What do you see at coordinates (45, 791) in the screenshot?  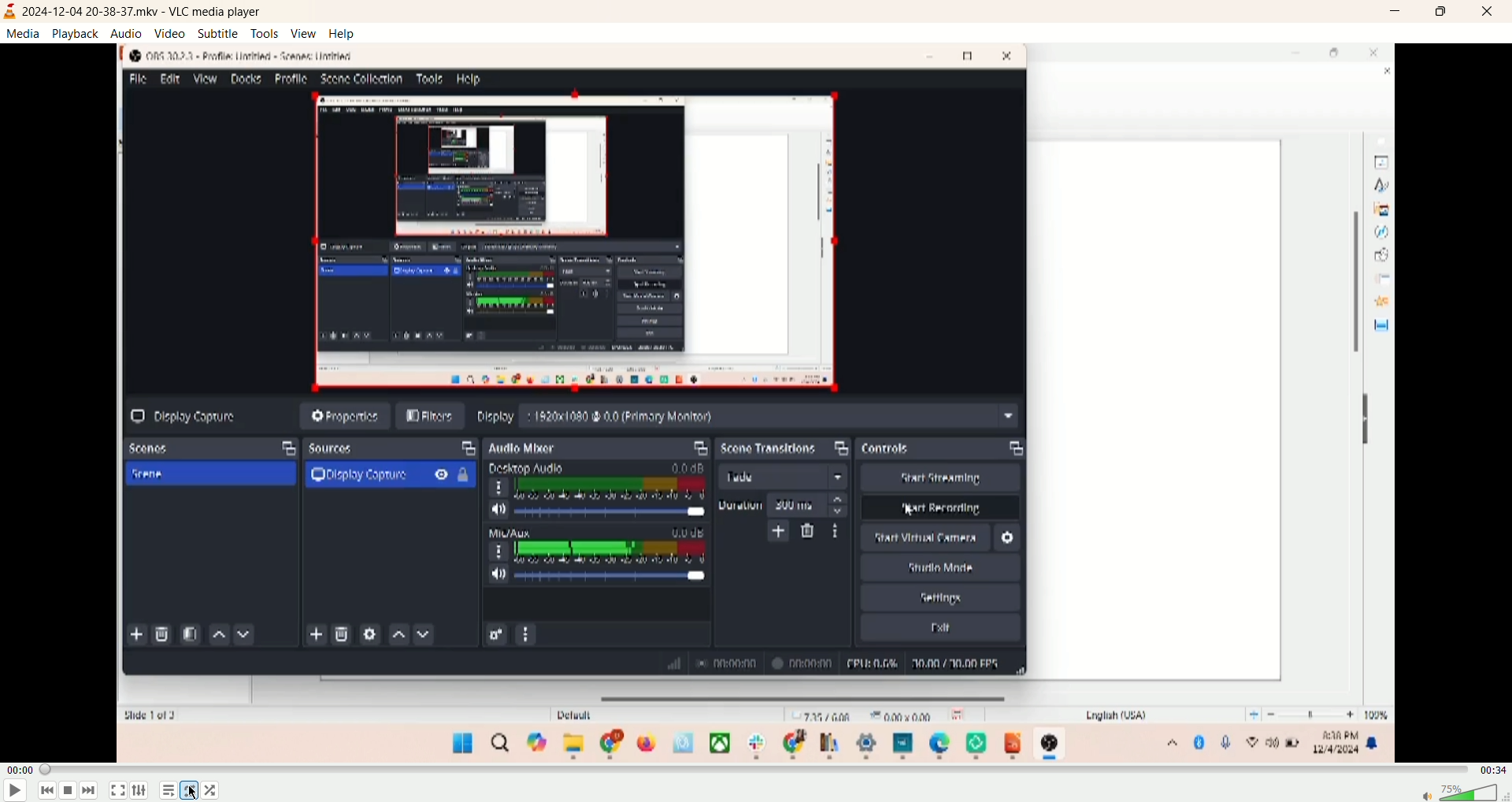 I see `previous` at bounding box center [45, 791].